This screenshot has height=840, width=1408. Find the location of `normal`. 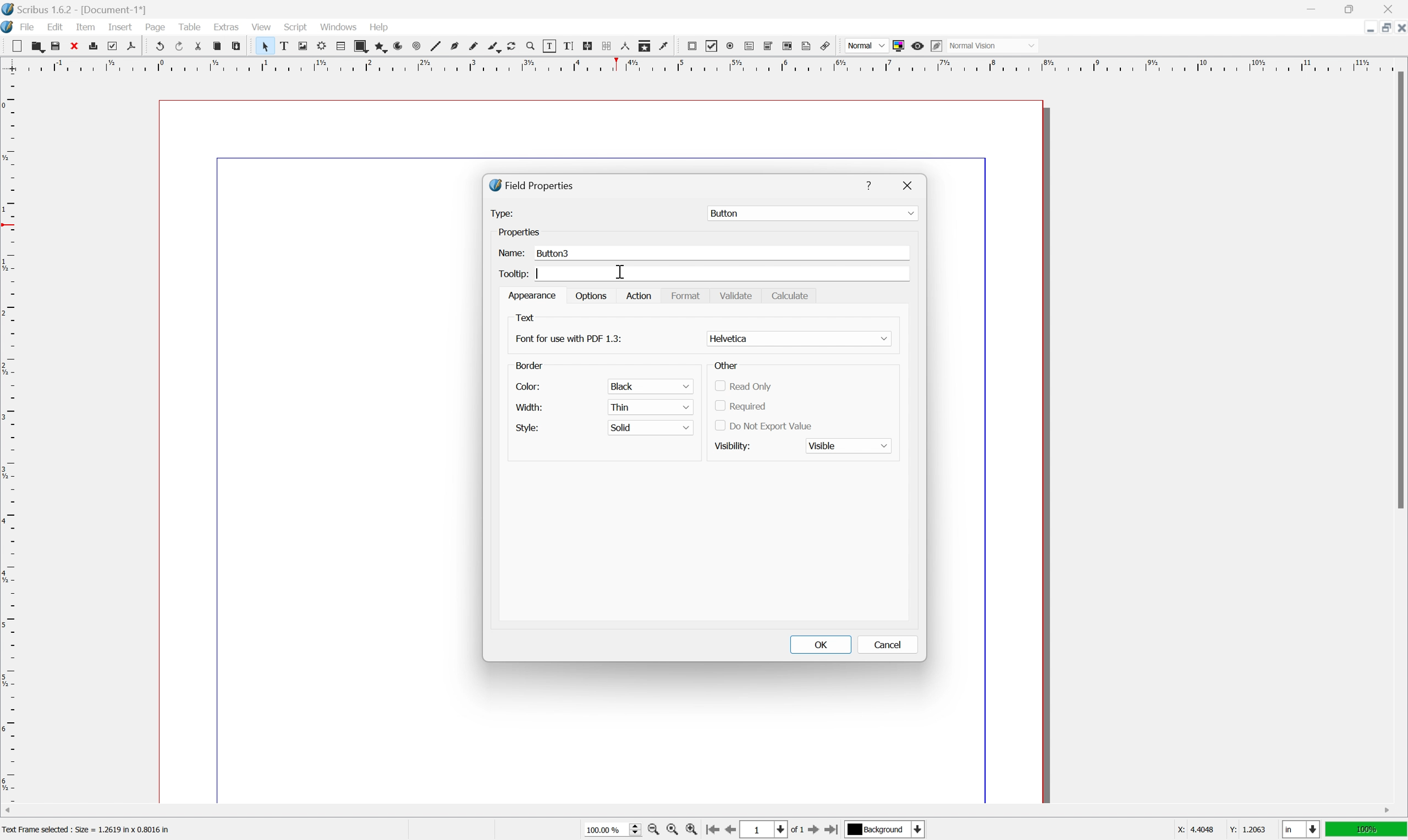

normal is located at coordinates (866, 45).